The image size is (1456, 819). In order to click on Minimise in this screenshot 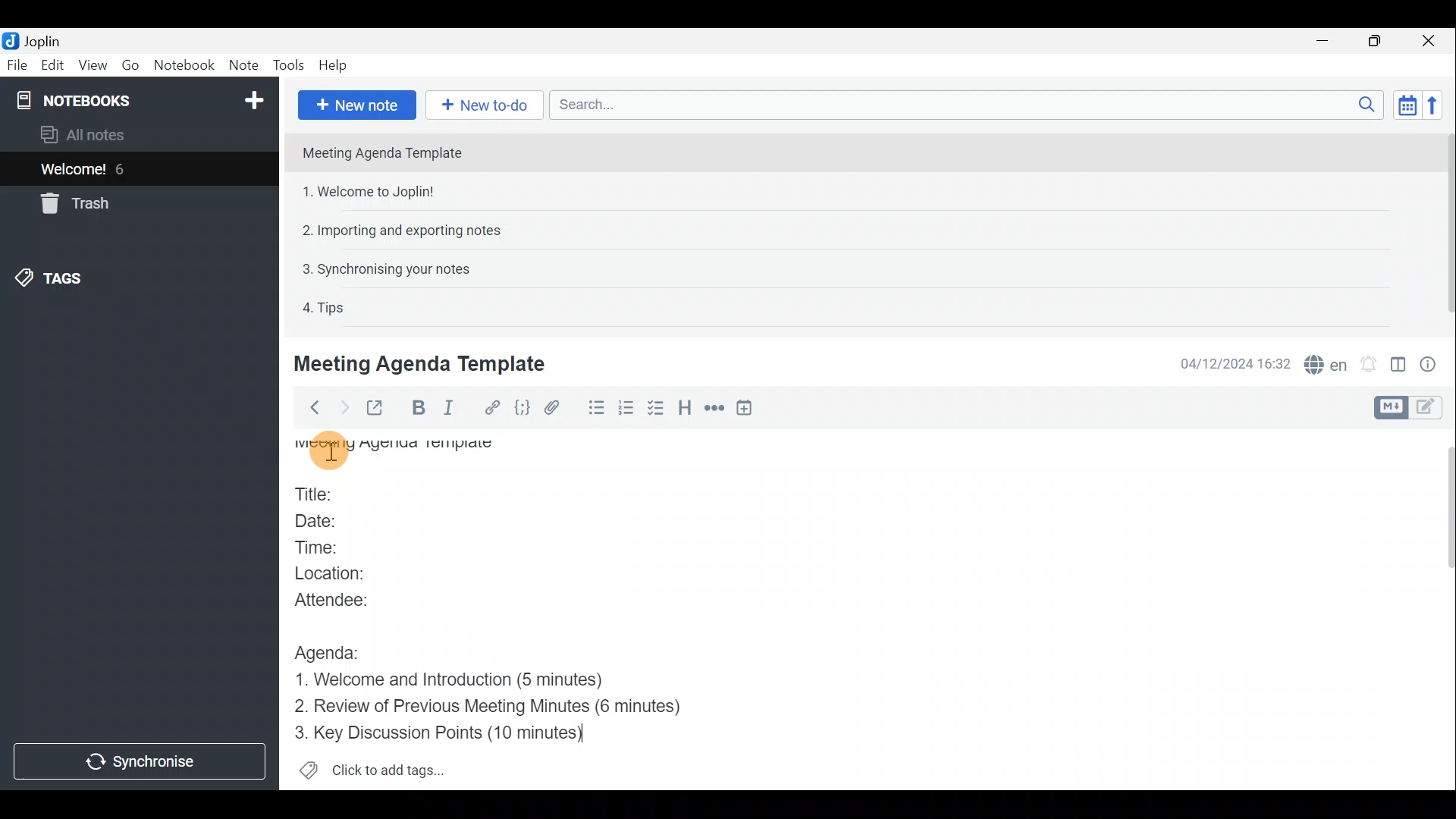, I will do `click(1325, 40)`.